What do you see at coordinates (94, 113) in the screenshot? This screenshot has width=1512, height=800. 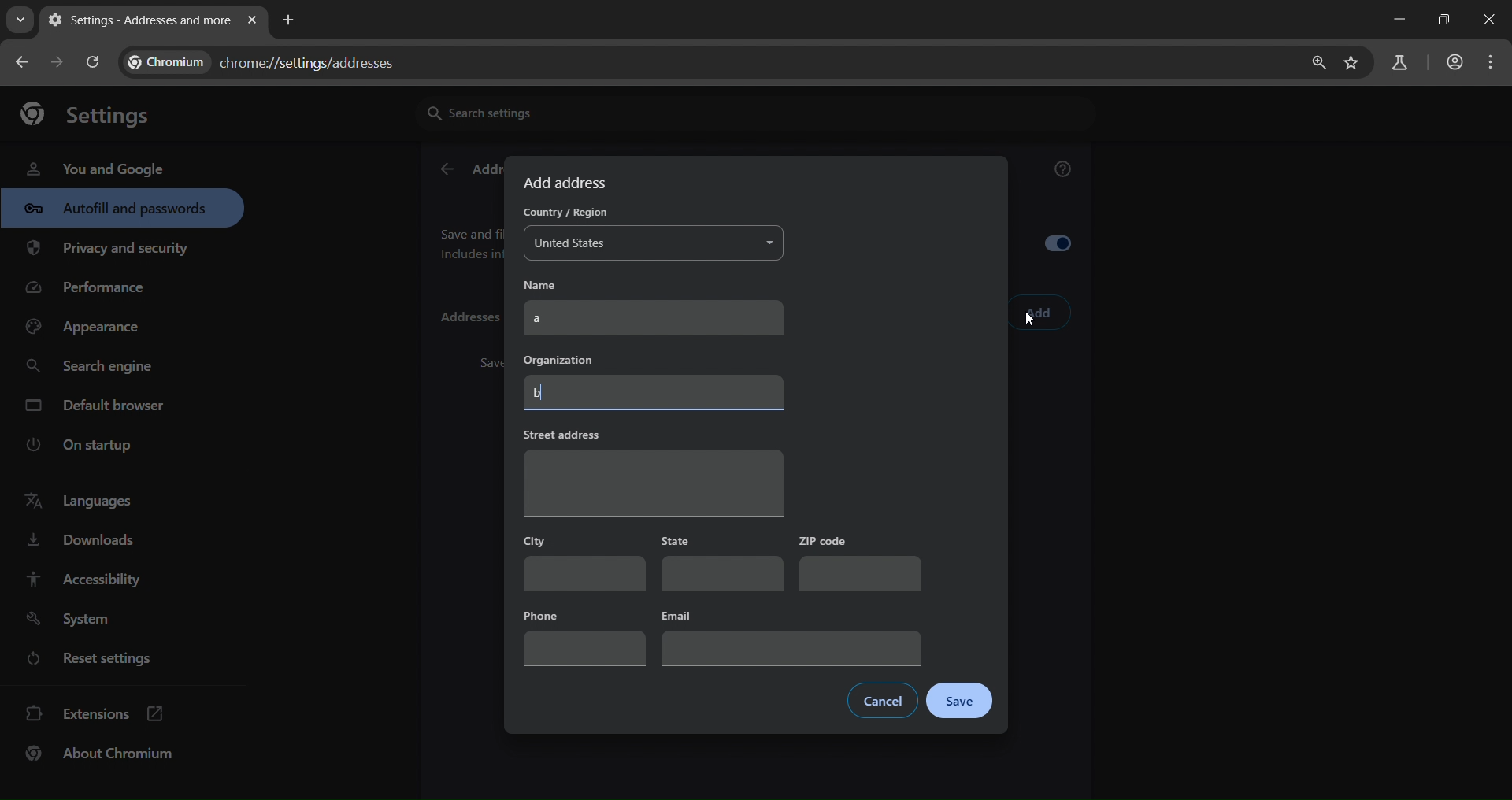 I see `settings` at bounding box center [94, 113].